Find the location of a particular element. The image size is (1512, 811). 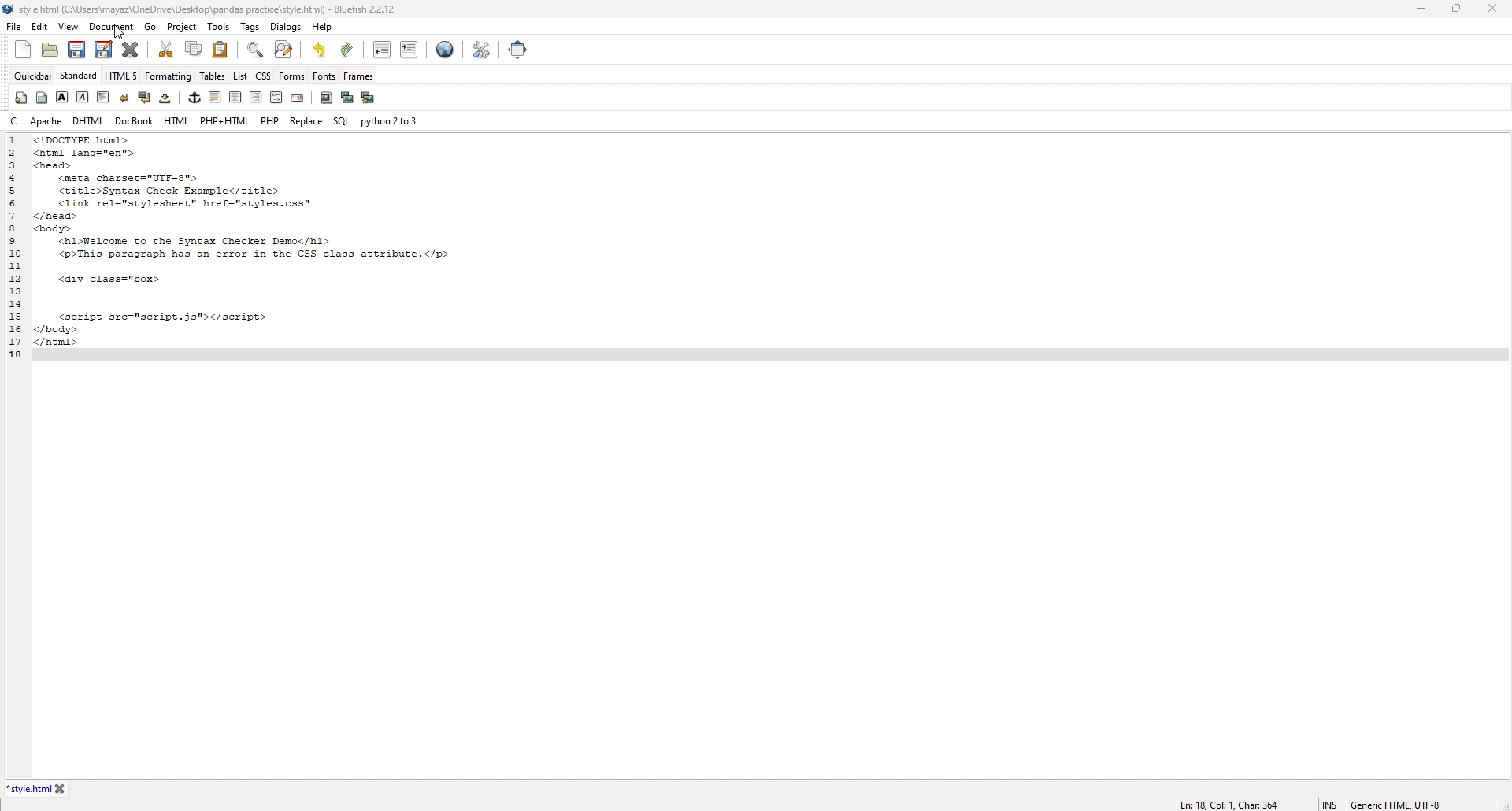

left indent is located at coordinates (215, 98).